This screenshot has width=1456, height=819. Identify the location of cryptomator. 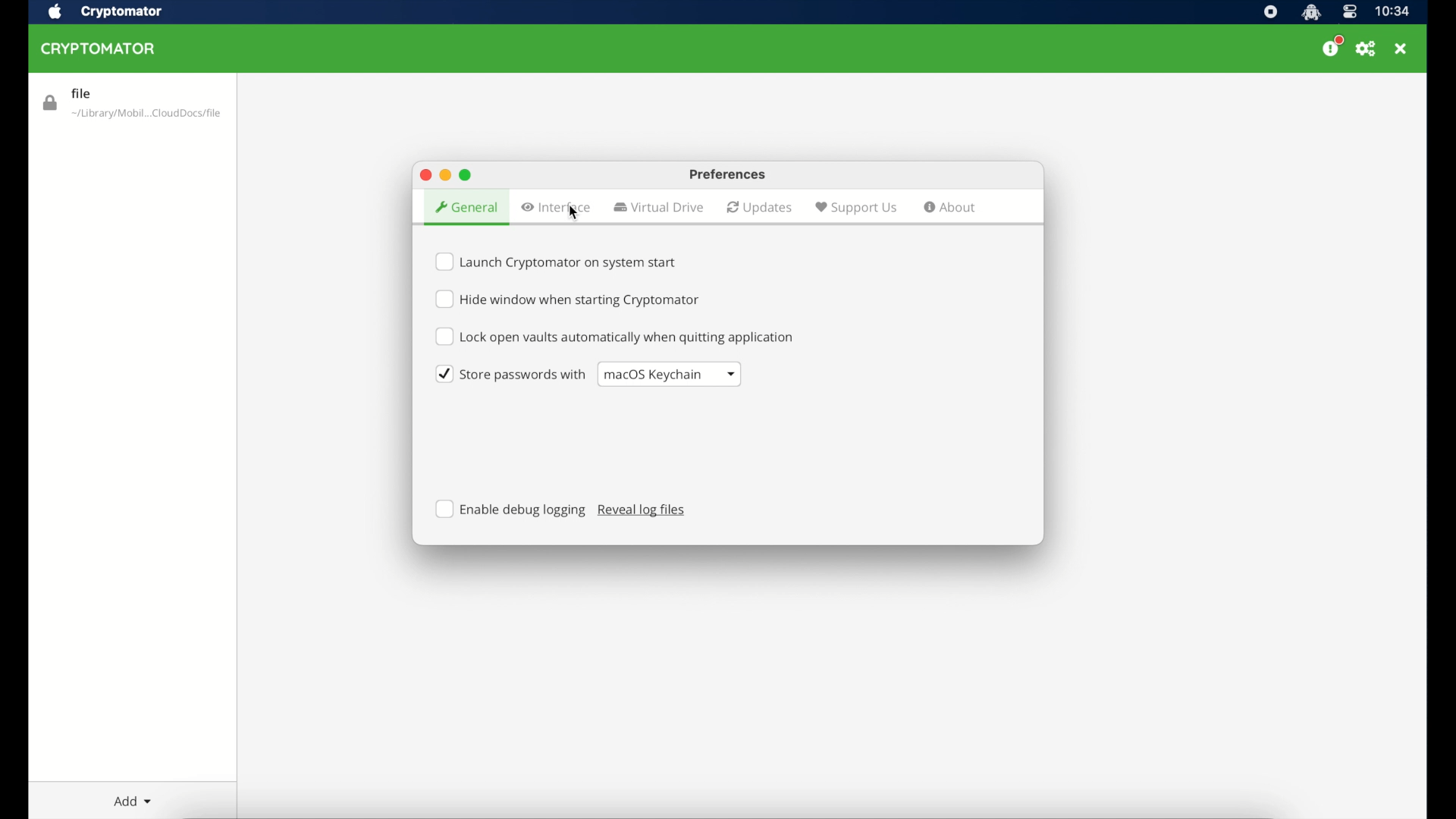
(122, 11).